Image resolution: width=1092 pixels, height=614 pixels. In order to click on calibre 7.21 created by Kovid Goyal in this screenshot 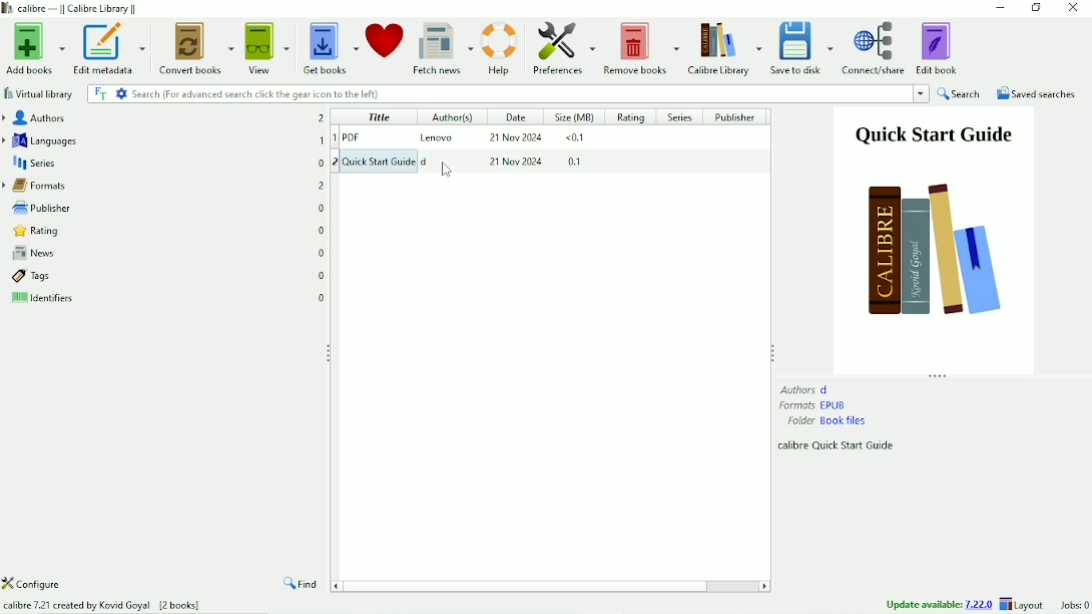, I will do `click(102, 606)`.